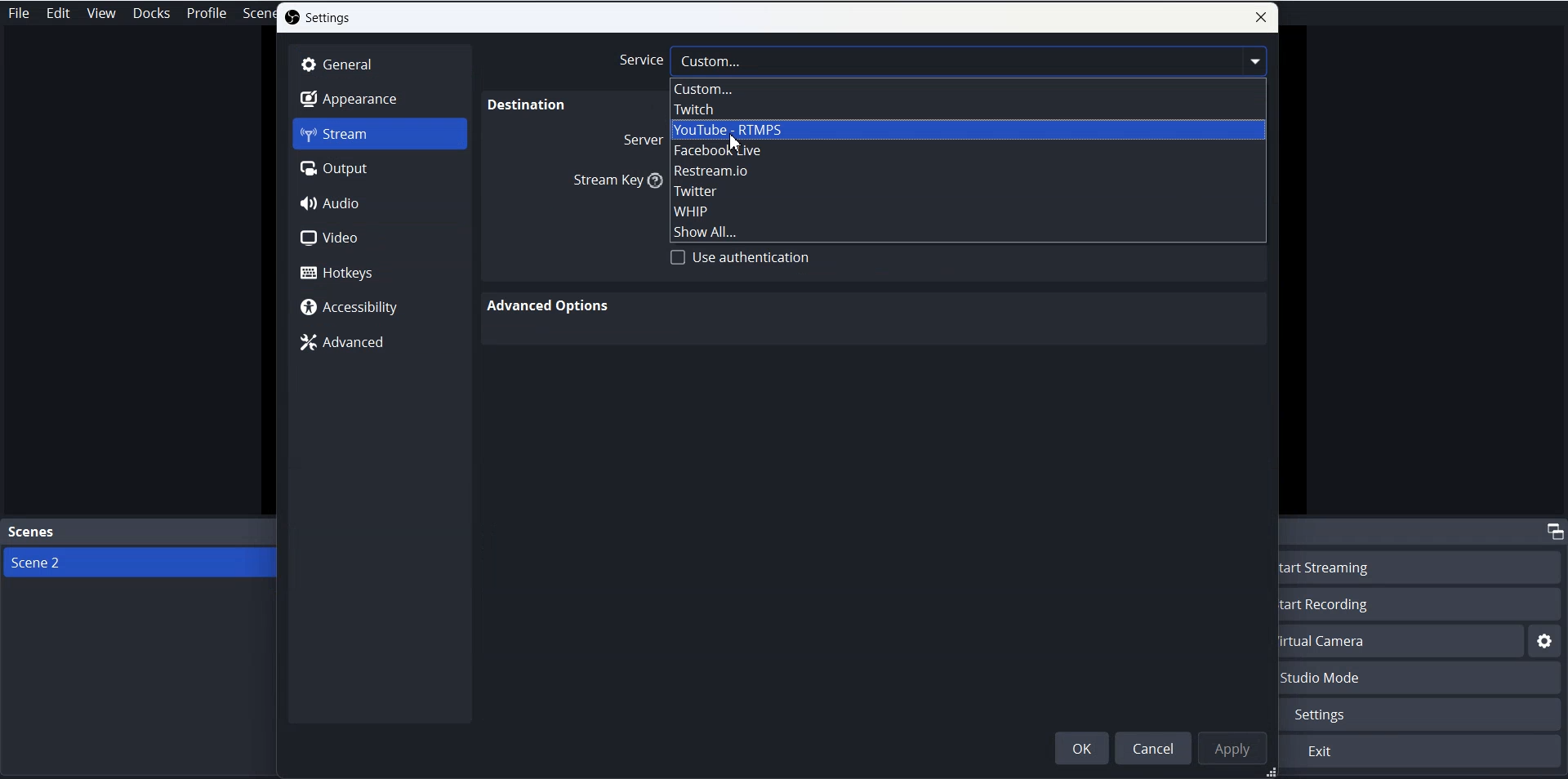 The height and width of the screenshot is (779, 1568). What do you see at coordinates (377, 341) in the screenshot?
I see `Advanced` at bounding box center [377, 341].